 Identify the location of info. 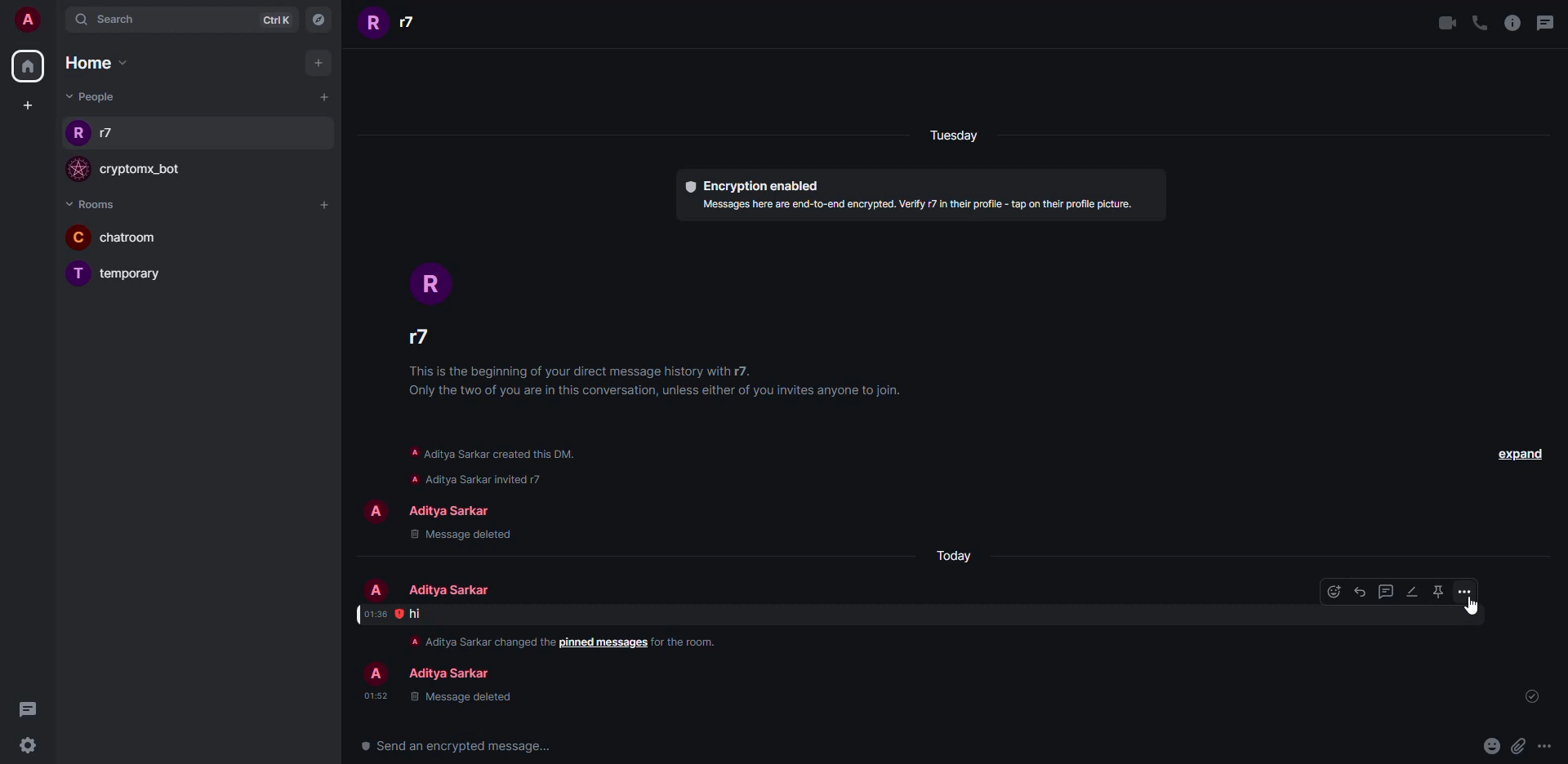
(1512, 23).